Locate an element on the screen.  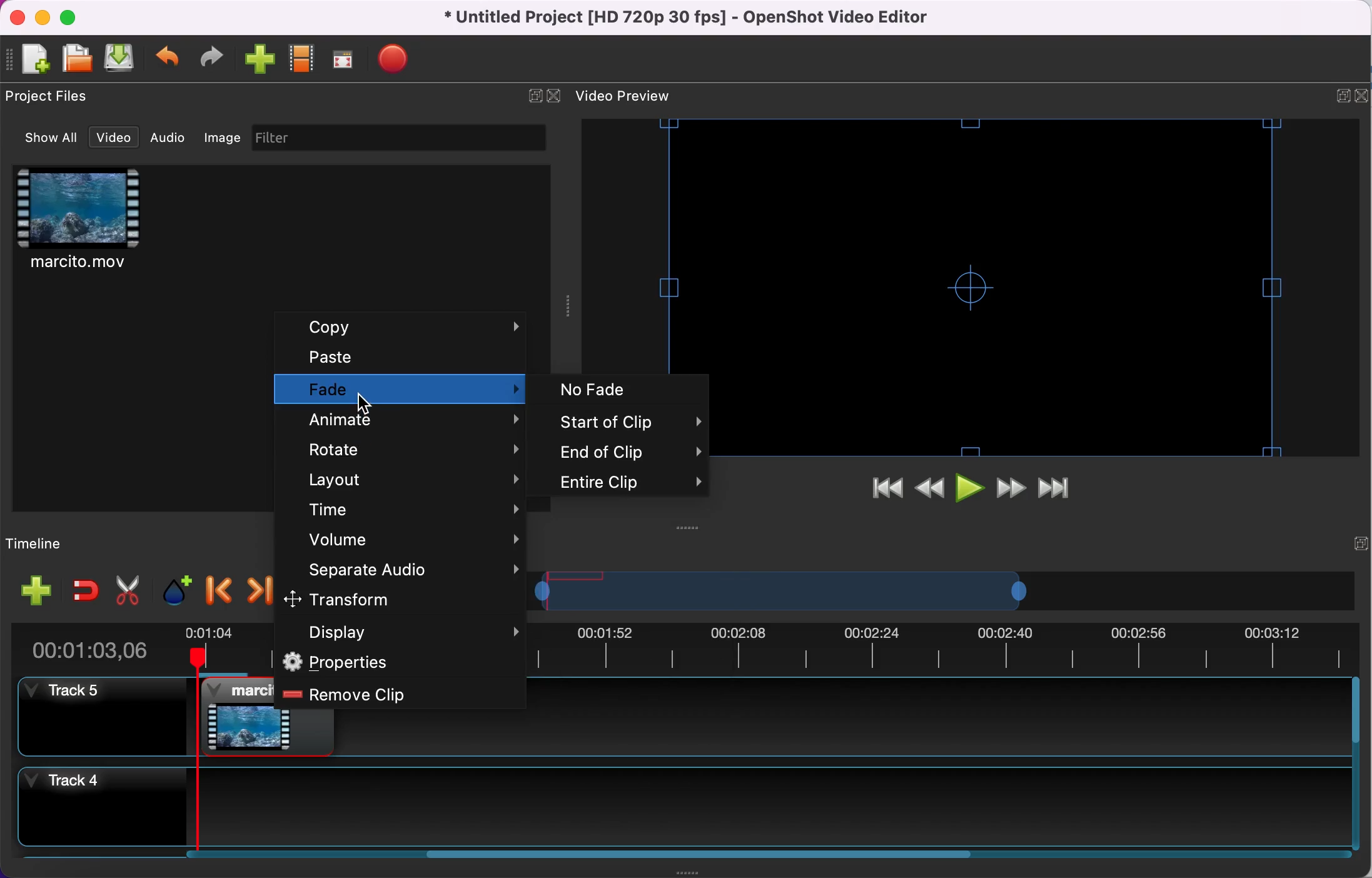
properties is located at coordinates (386, 664).